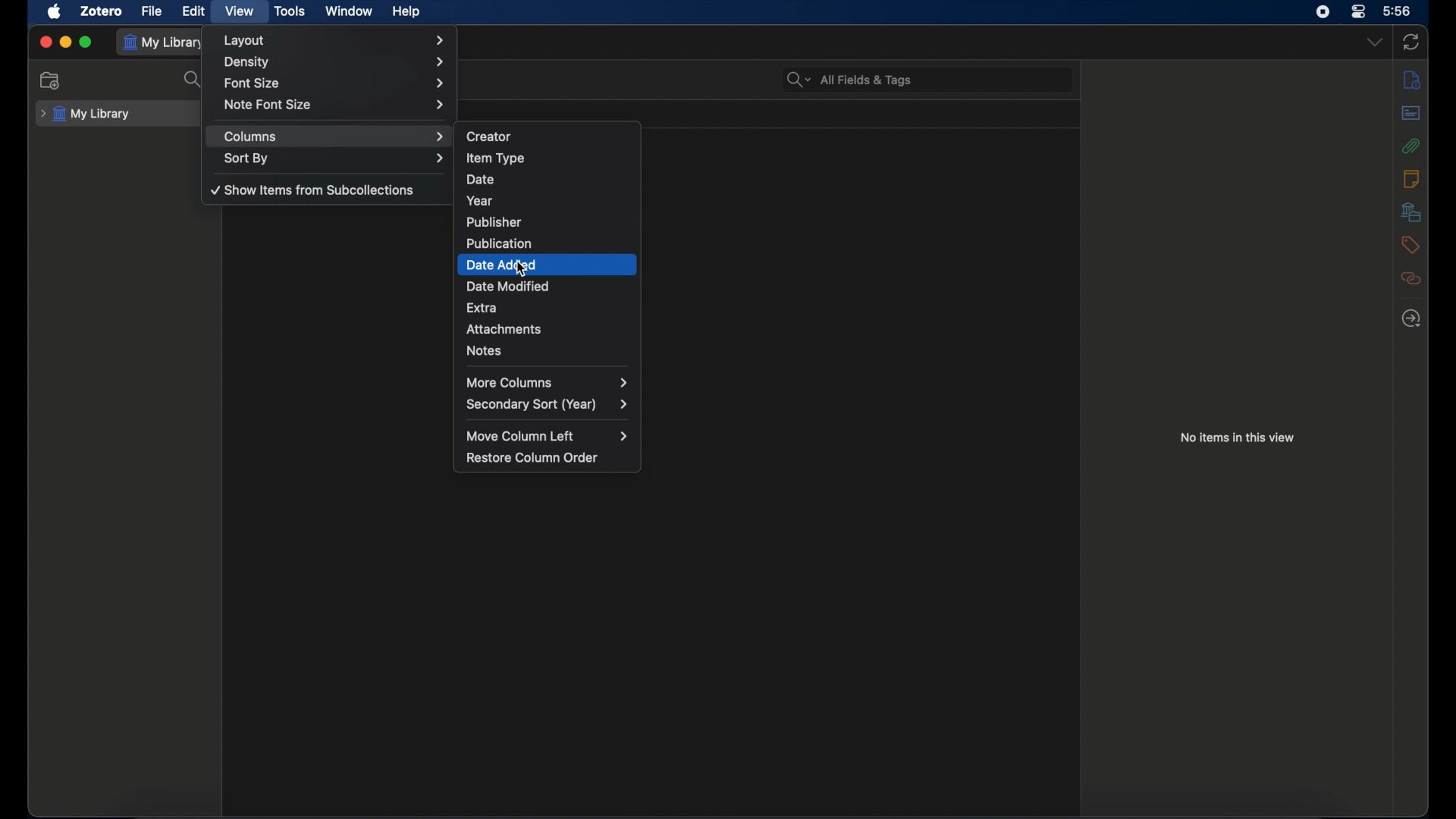 Image resolution: width=1456 pixels, height=819 pixels. What do you see at coordinates (102, 11) in the screenshot?
I see `zotero` at bounding box center [102, 11].